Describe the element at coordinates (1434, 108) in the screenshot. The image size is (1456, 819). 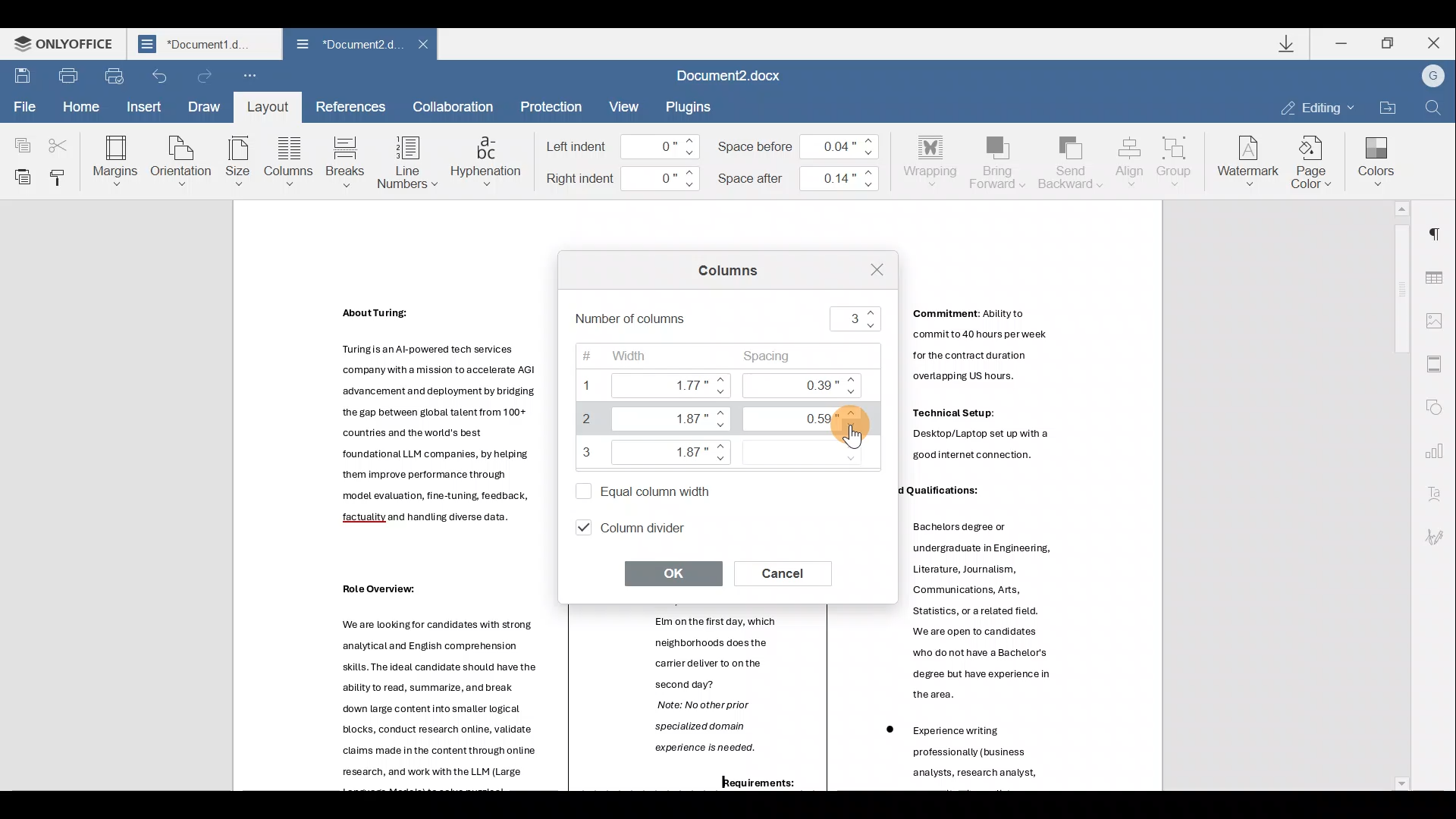
I see `Find` at that location.